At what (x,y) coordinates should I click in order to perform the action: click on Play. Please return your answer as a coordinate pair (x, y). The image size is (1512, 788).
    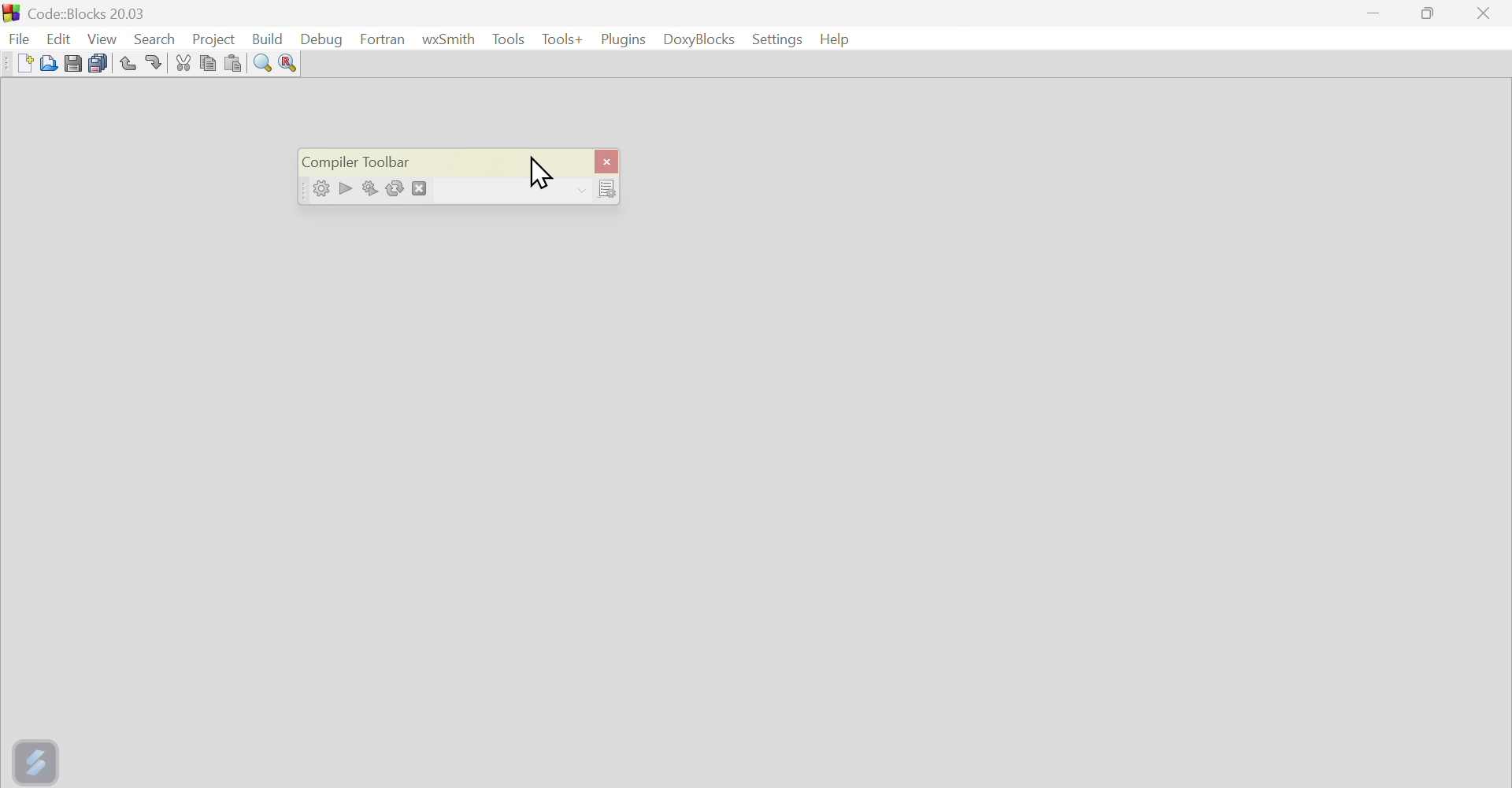
    Looking at the image, I should click on (343, 186).